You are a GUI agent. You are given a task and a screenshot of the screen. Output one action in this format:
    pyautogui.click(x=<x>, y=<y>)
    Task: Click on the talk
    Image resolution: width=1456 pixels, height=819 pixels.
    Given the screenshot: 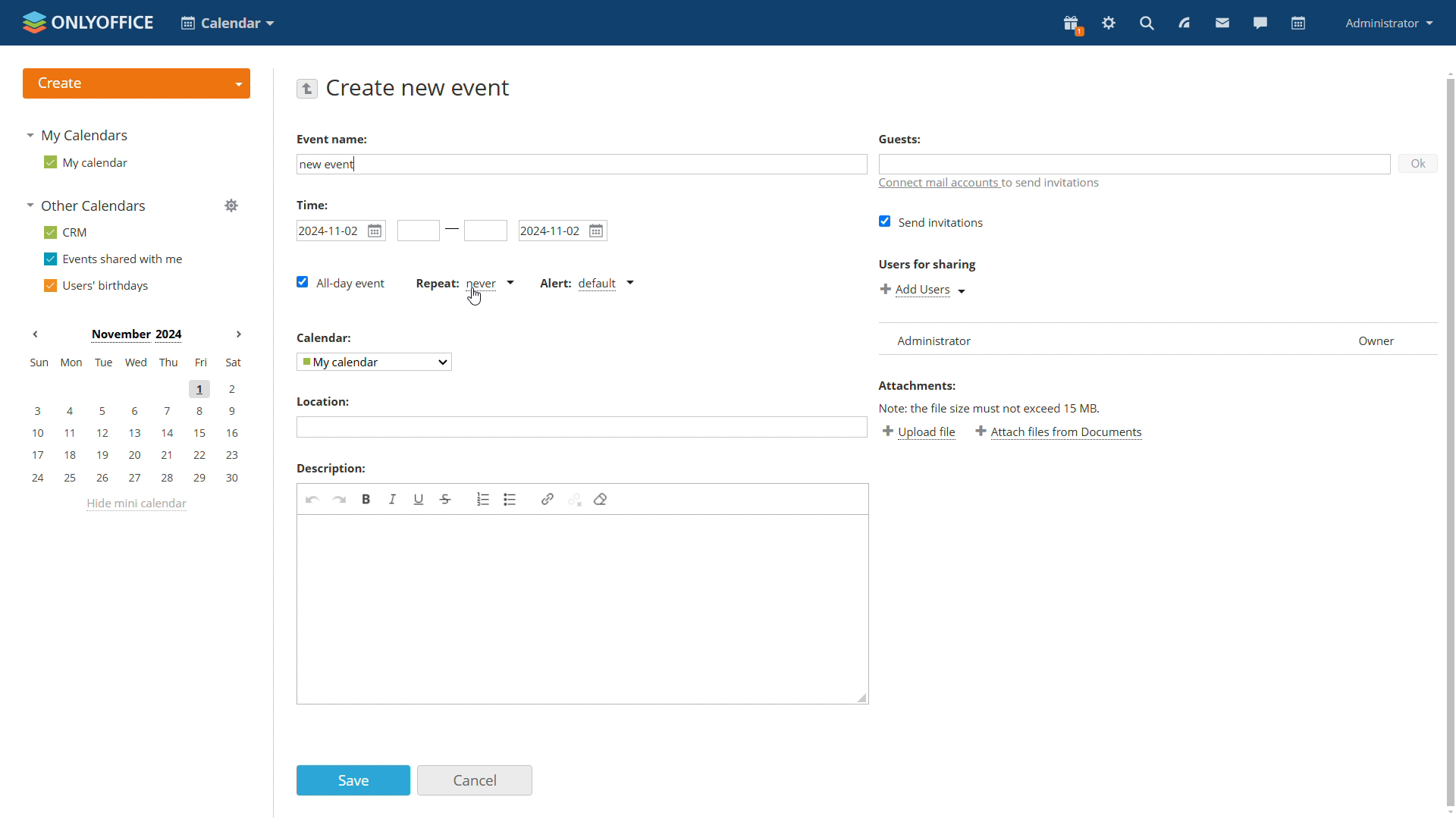 What is the action you would take?
    pyautogui.click(x=1260, y=24)
    